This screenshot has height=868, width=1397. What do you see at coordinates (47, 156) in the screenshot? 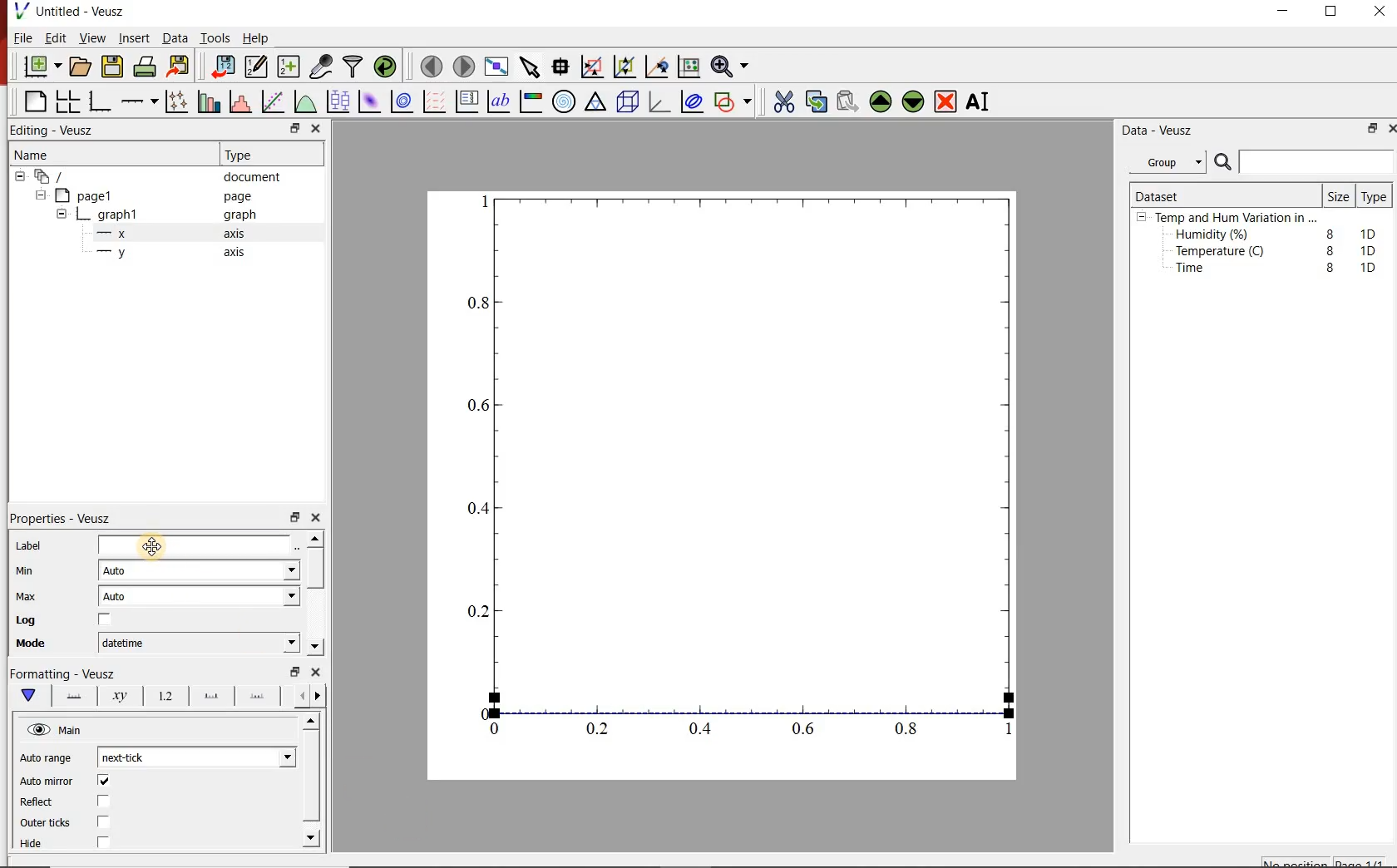
I see `Name` at bounding box center [47, 156].